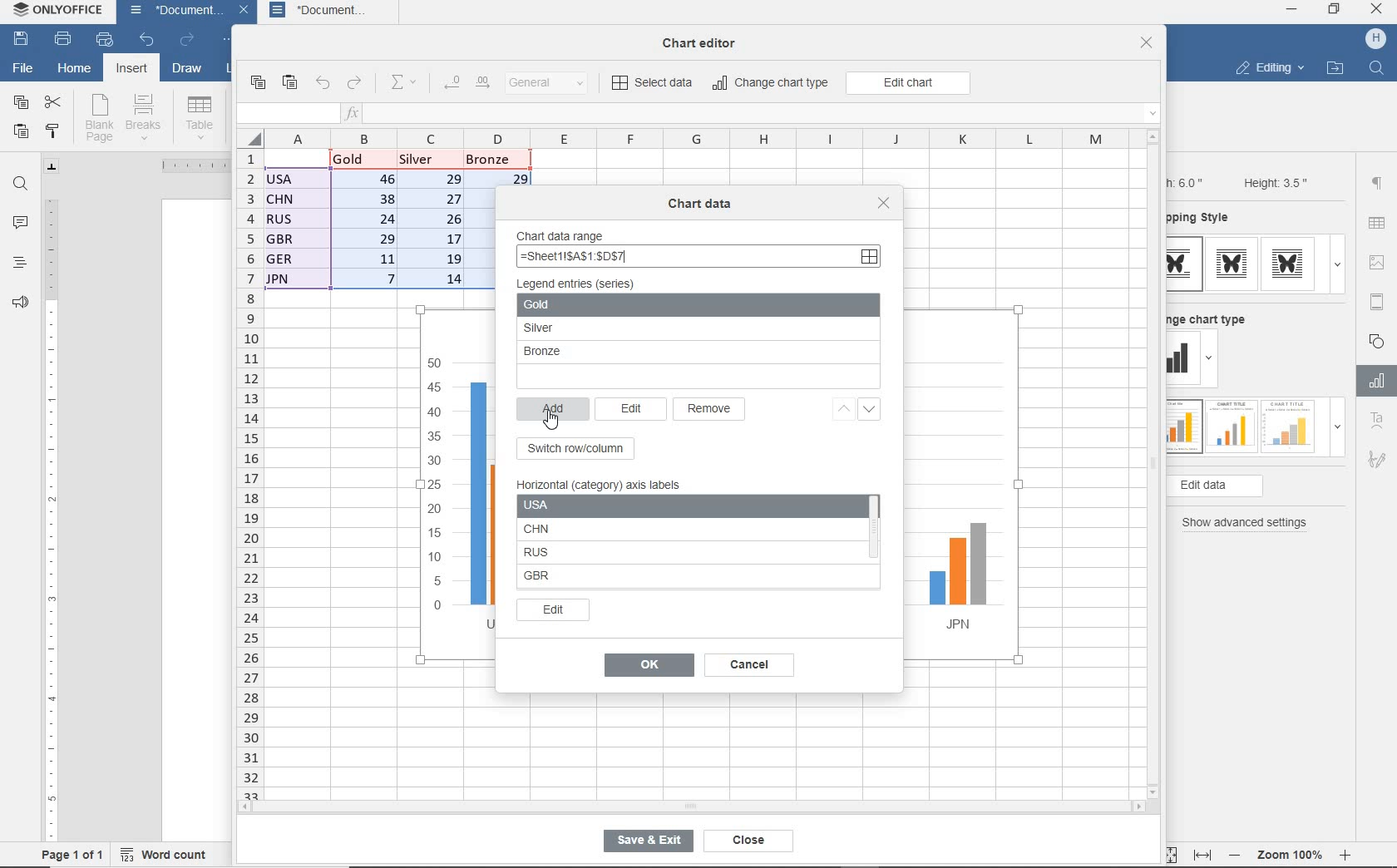 This screenshot has height=868, width=1397. What do you see at coordinates (1153, 136) in the screenshot?
I see `scroll up` at bounding box center [1153, 136].